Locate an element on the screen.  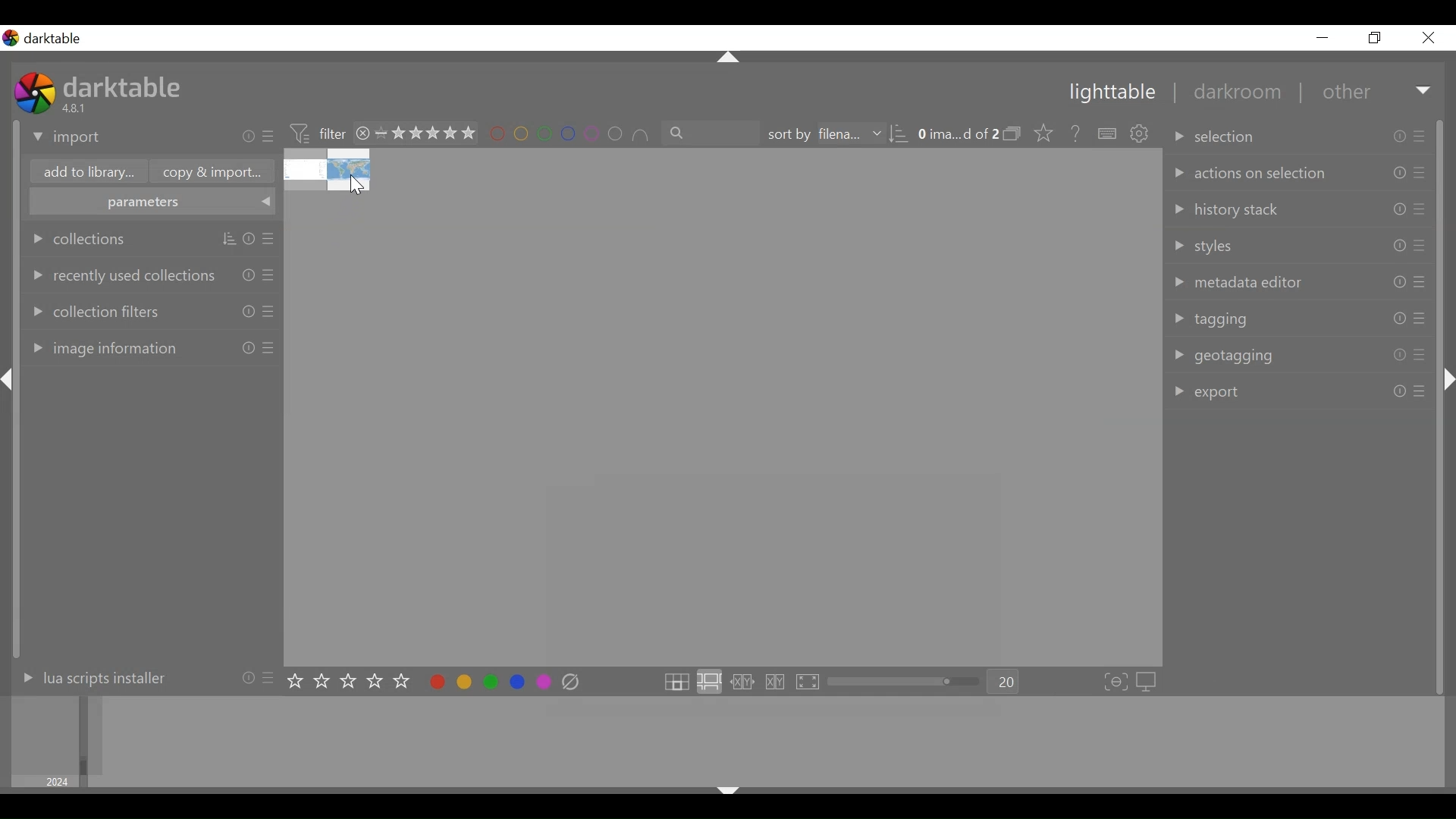
lighttable is located at coordinates (1113, 93).